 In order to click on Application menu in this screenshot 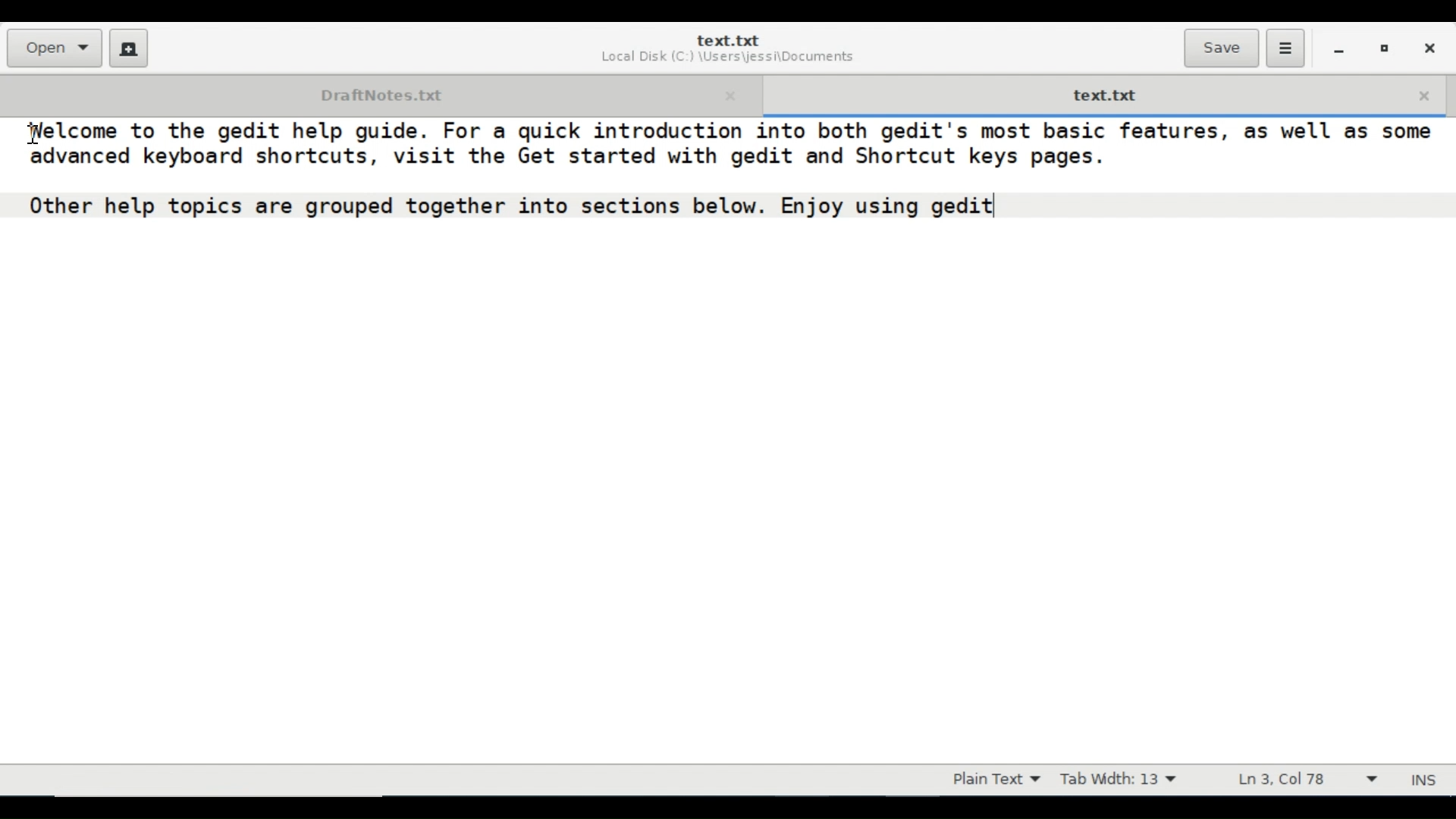, I will do `click(1285, 49)`.